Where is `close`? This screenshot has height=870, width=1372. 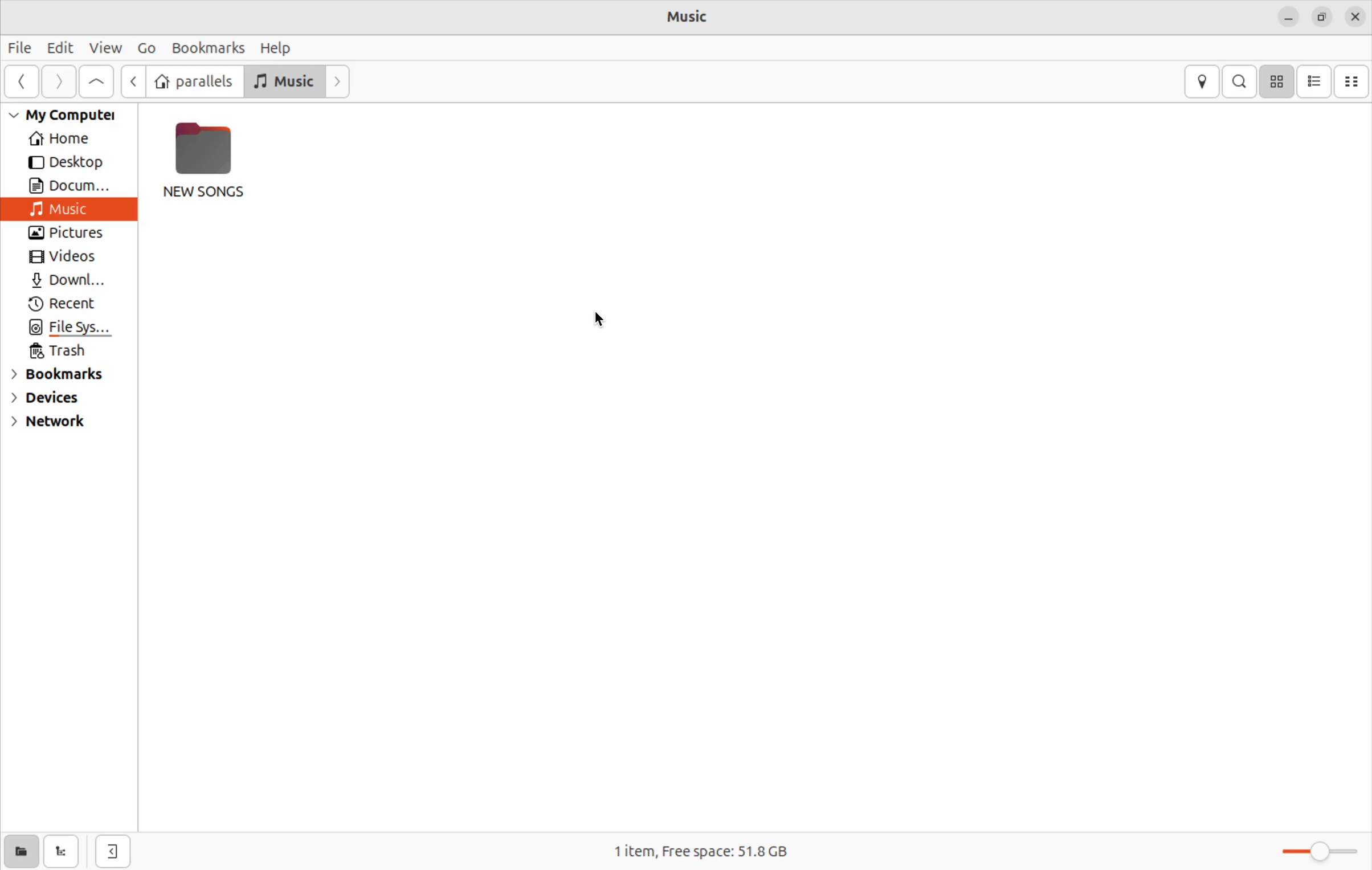 close is located at coordinates (1355, 17).